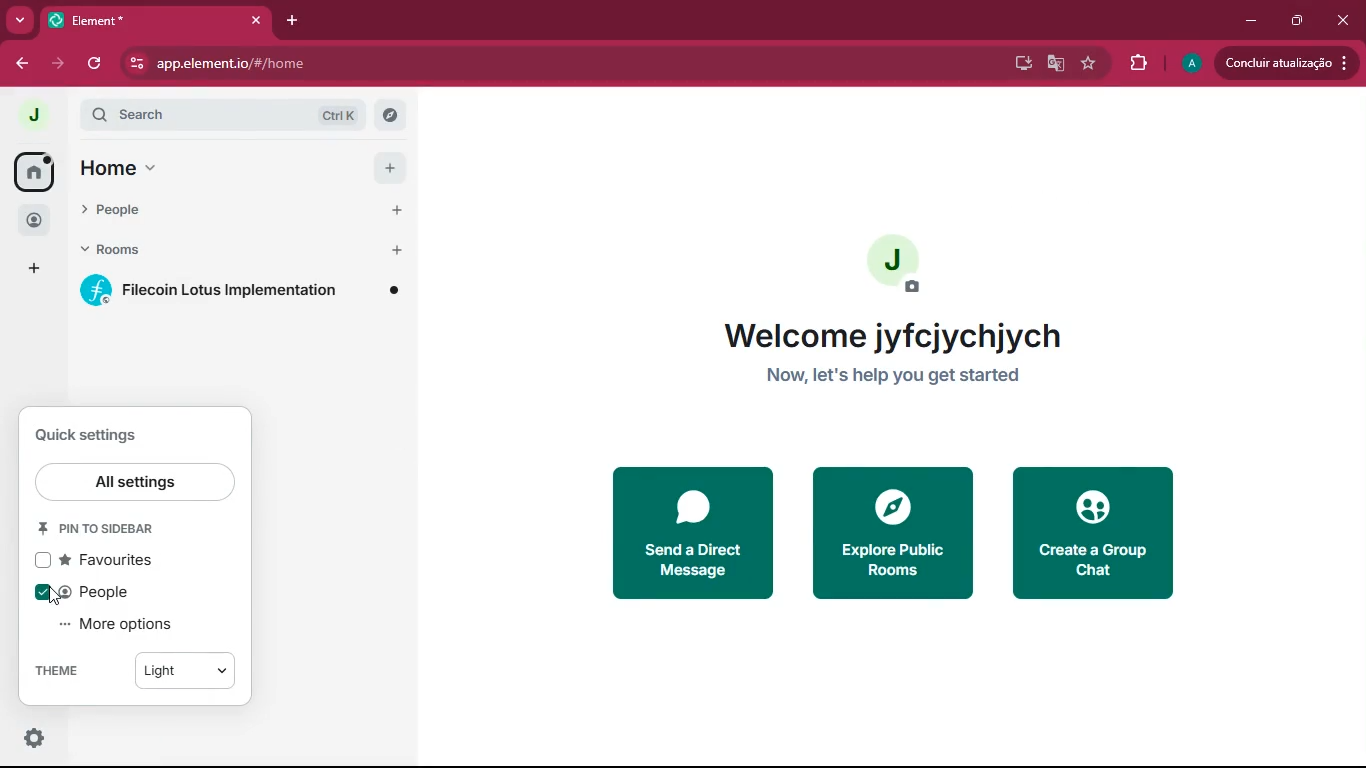 This screenshot has height=768, width=1366. I want to click on people, so click(215, 212).